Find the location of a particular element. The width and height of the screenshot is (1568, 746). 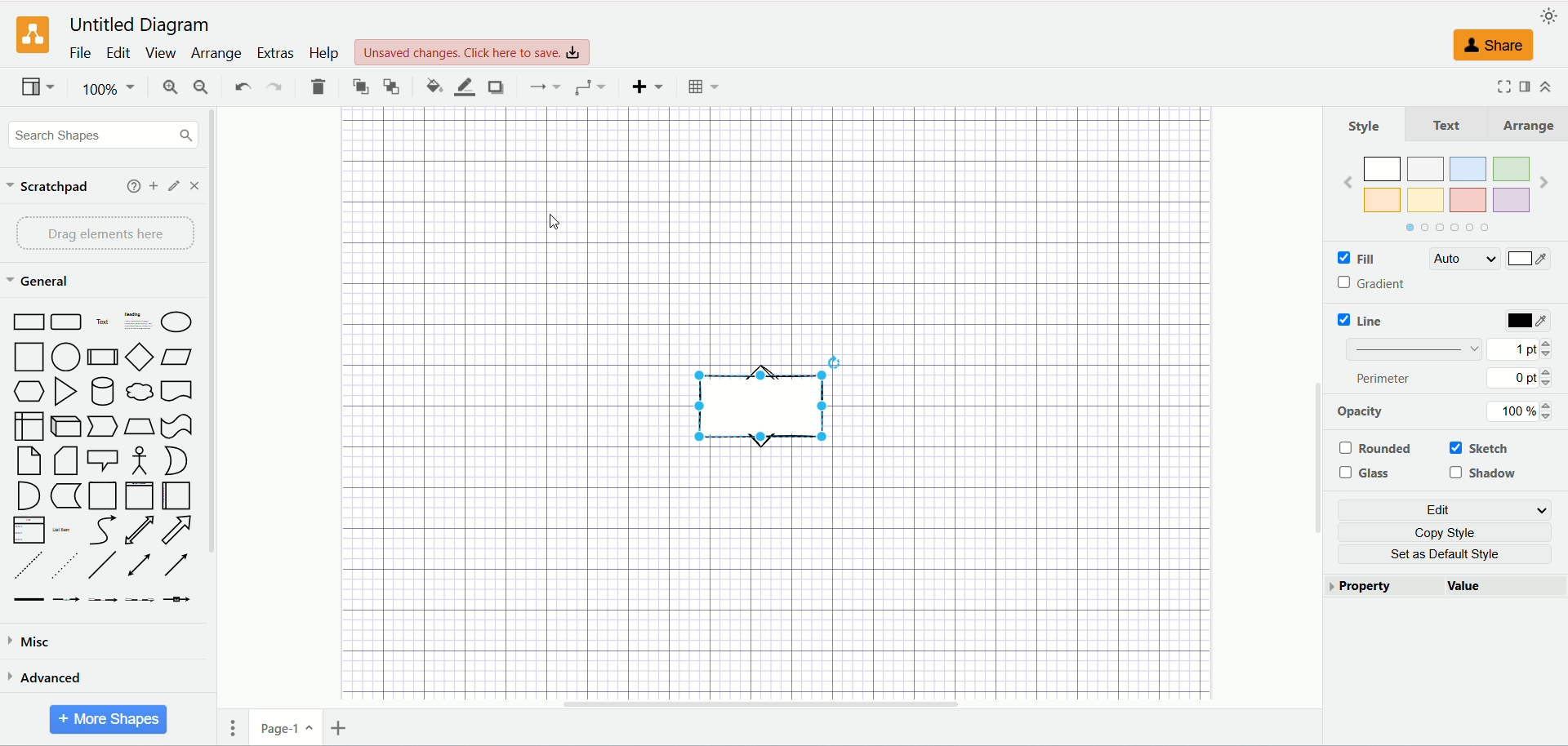

rounded is located at coordinates (1374, 449).